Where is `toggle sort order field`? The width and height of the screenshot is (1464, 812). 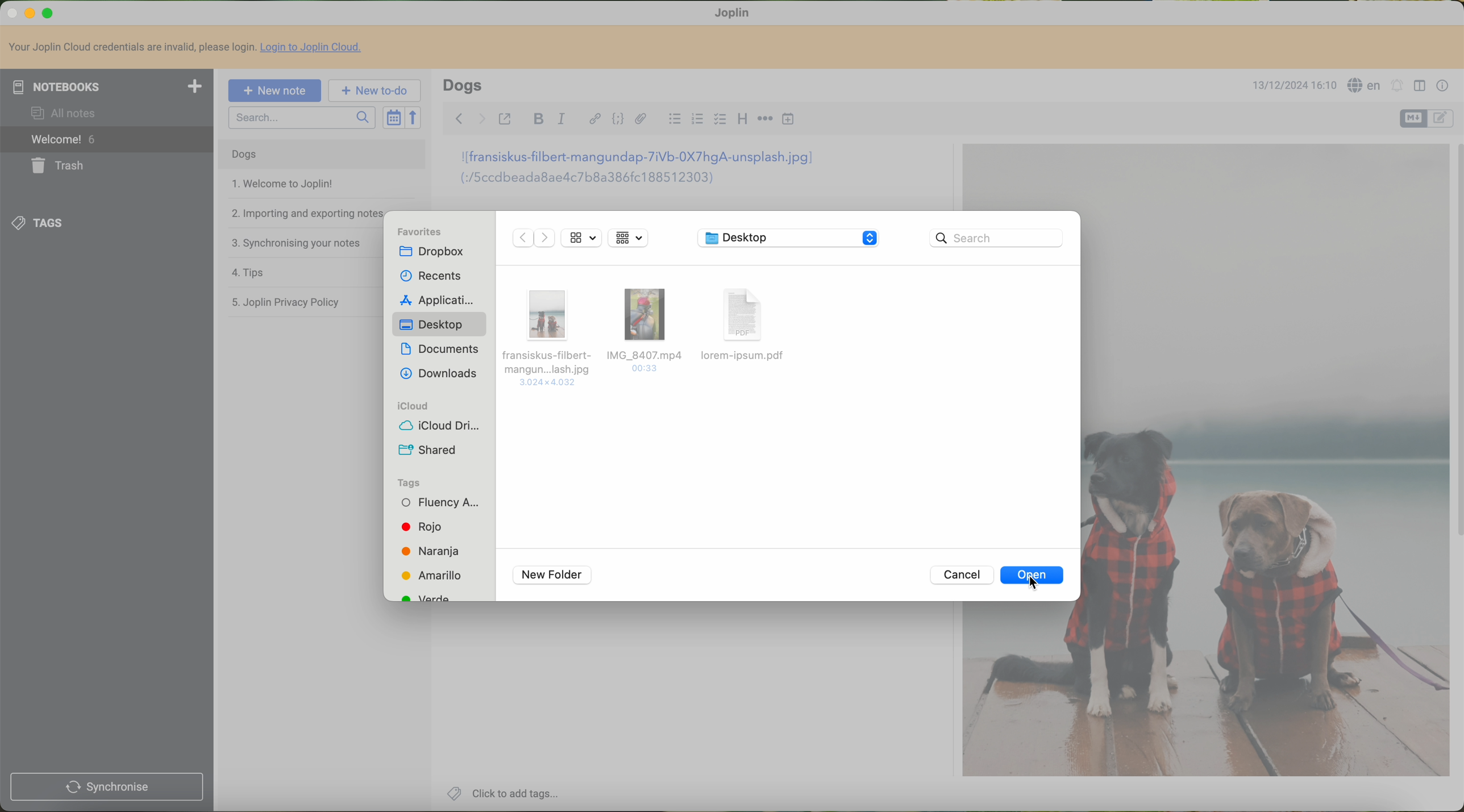
toggle sort order field is located at coordinates (393, 118).